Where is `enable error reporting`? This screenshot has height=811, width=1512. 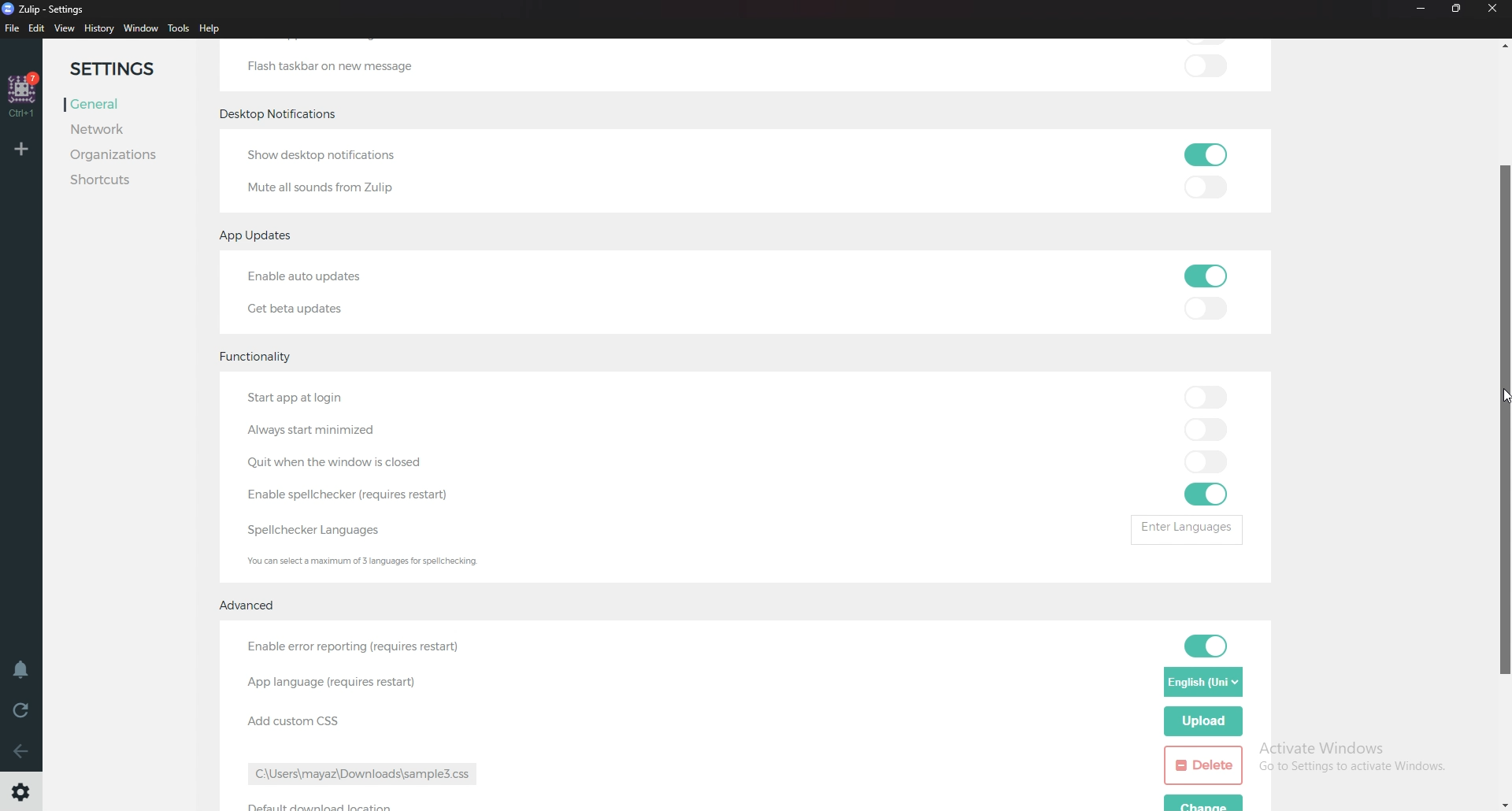 enable error reporting is located at coordinates (354, 648).